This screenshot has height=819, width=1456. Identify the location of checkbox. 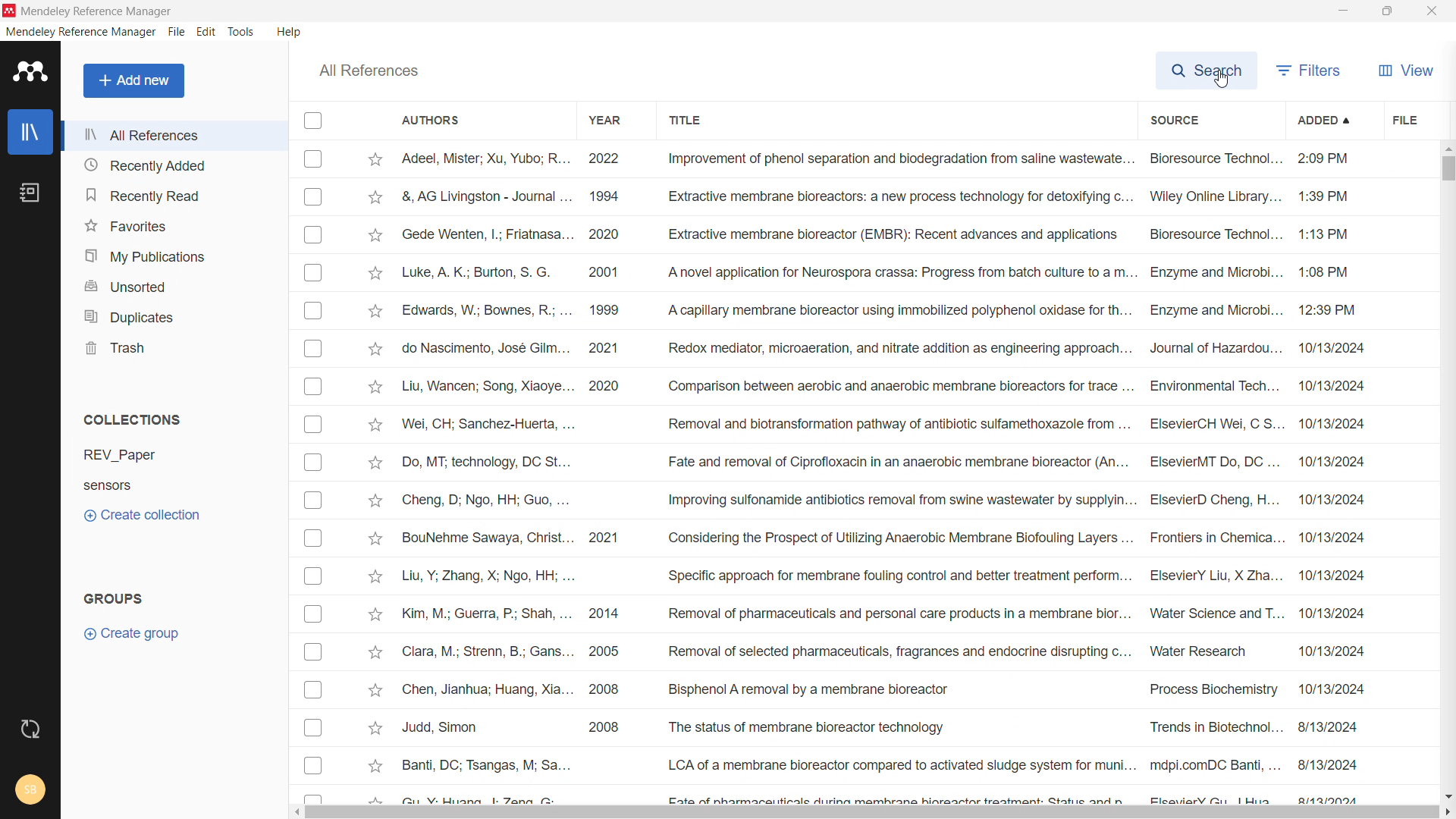
(313, 120).